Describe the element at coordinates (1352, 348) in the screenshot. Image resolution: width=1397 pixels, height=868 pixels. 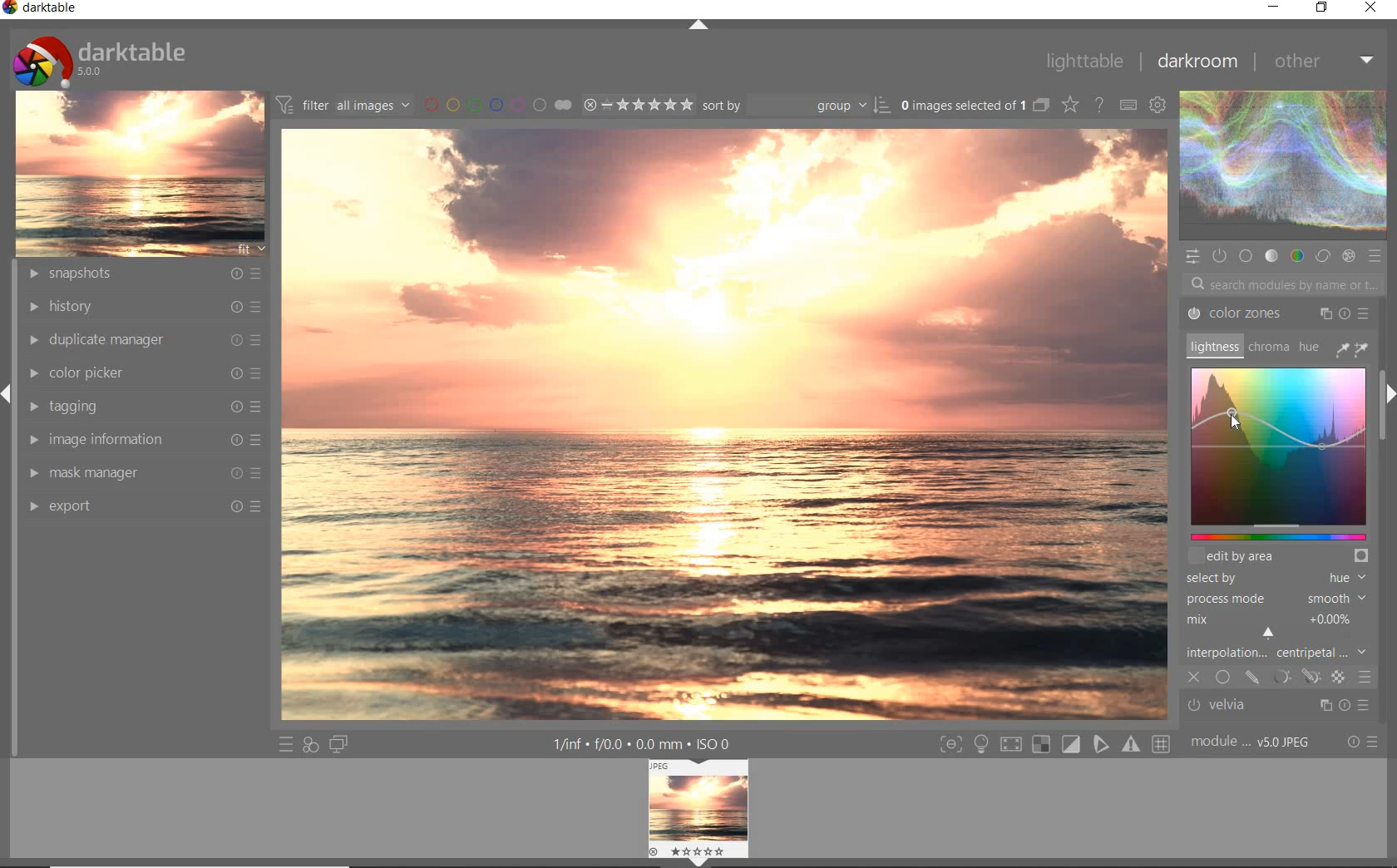
I see `COLOR PICKER TOOLS` at that location.